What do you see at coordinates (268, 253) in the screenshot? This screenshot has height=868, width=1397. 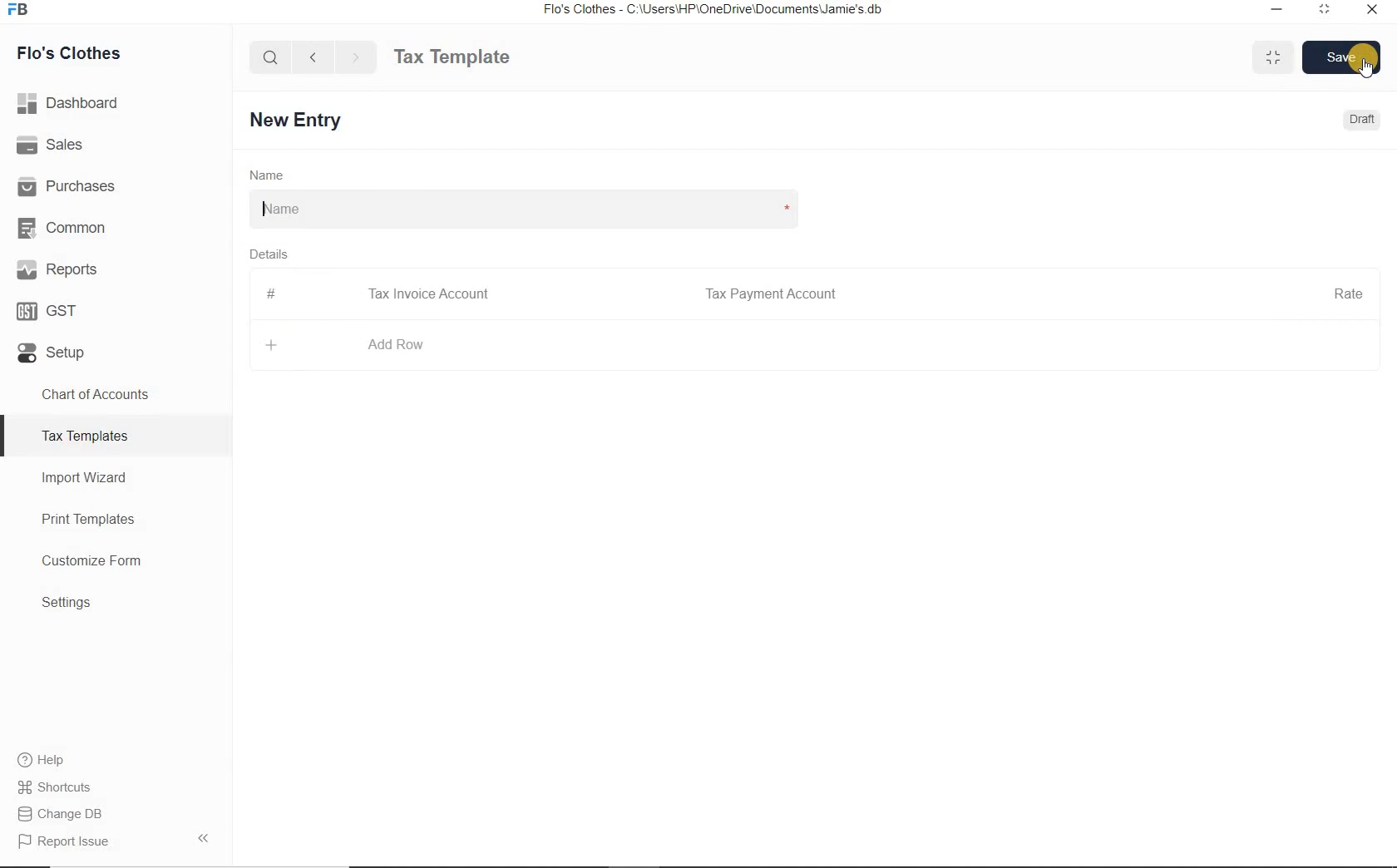 I see `Details` at bounding box center [268, 253].